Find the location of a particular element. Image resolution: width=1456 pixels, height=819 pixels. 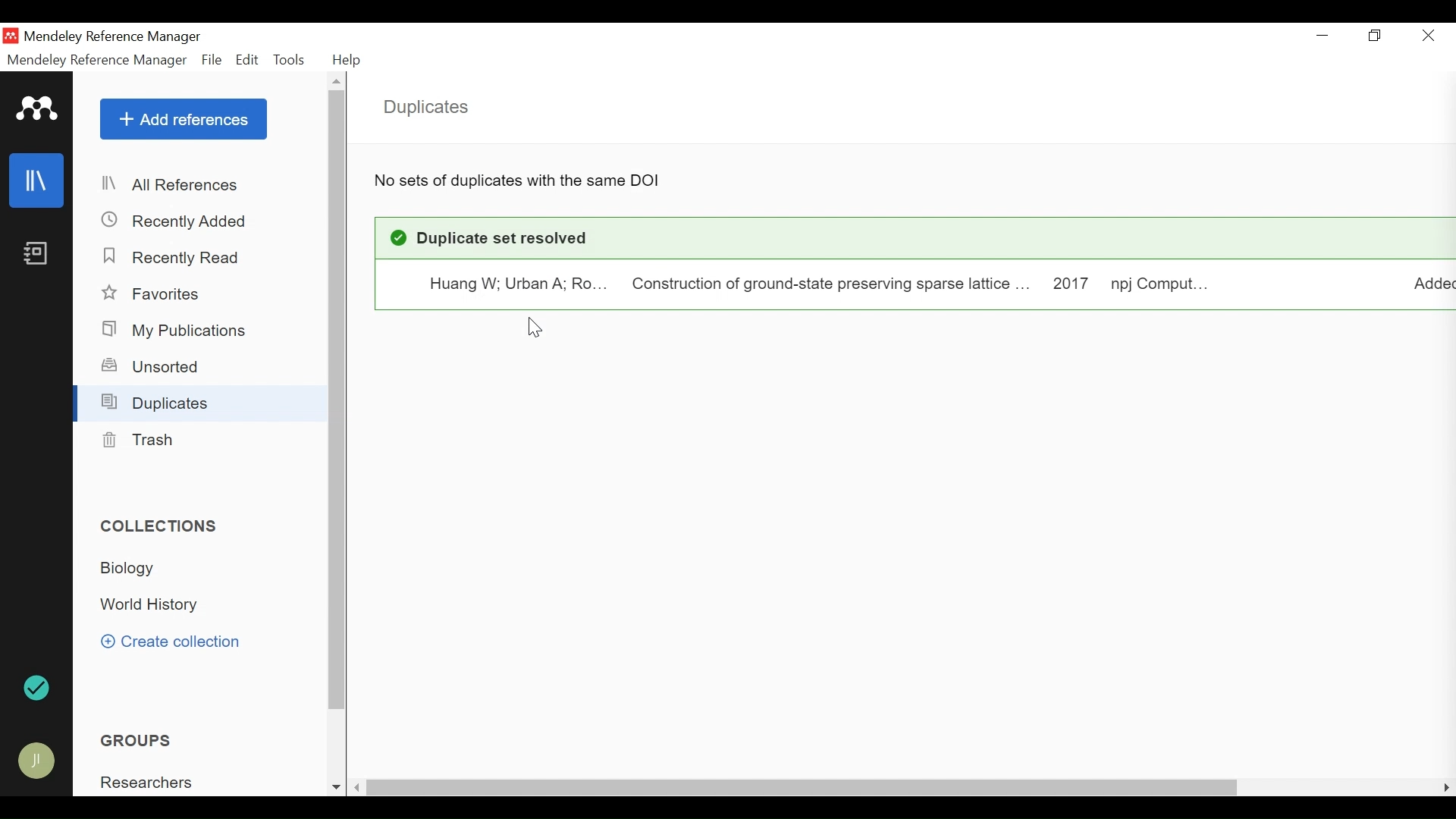

Vertical Scroll bar is located at coordinates (337, 403).